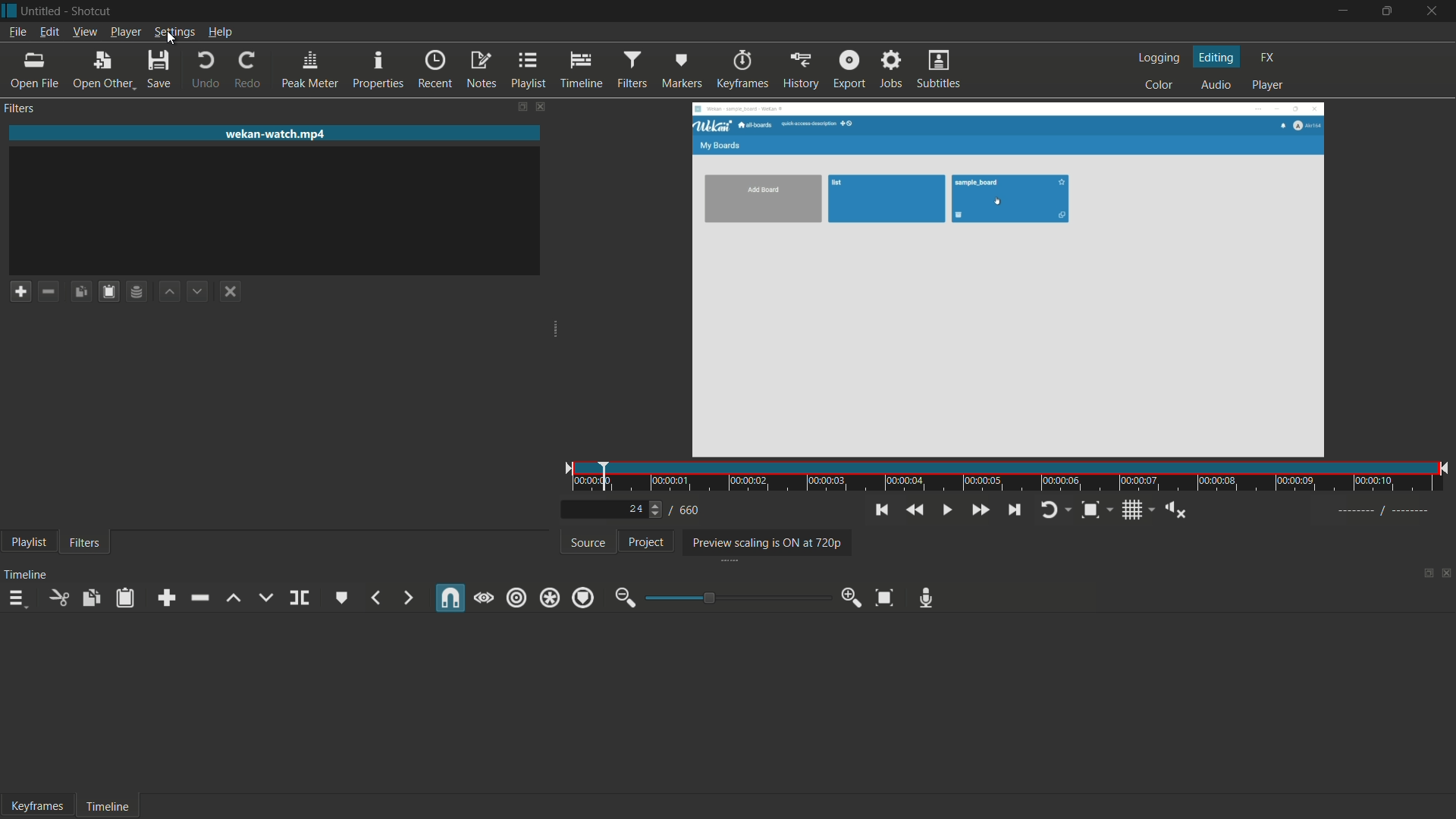  What do you see at coordinates (202, 598) in the screenshot?
I see `ripple delete` at bounding box center [202, 598].